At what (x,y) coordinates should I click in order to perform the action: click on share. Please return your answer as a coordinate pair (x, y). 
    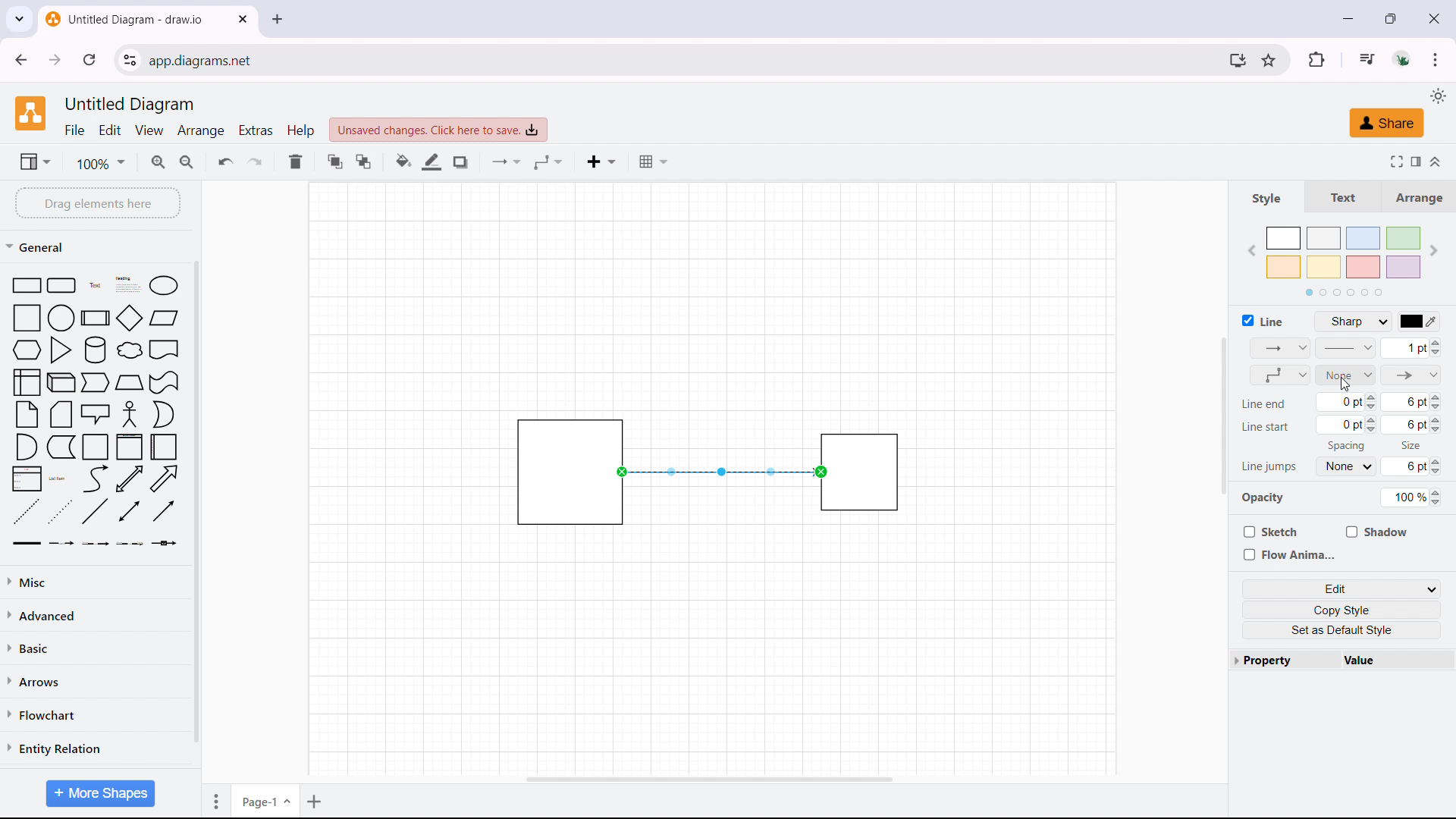
    Looking at the image, I should click on (1385, 124).